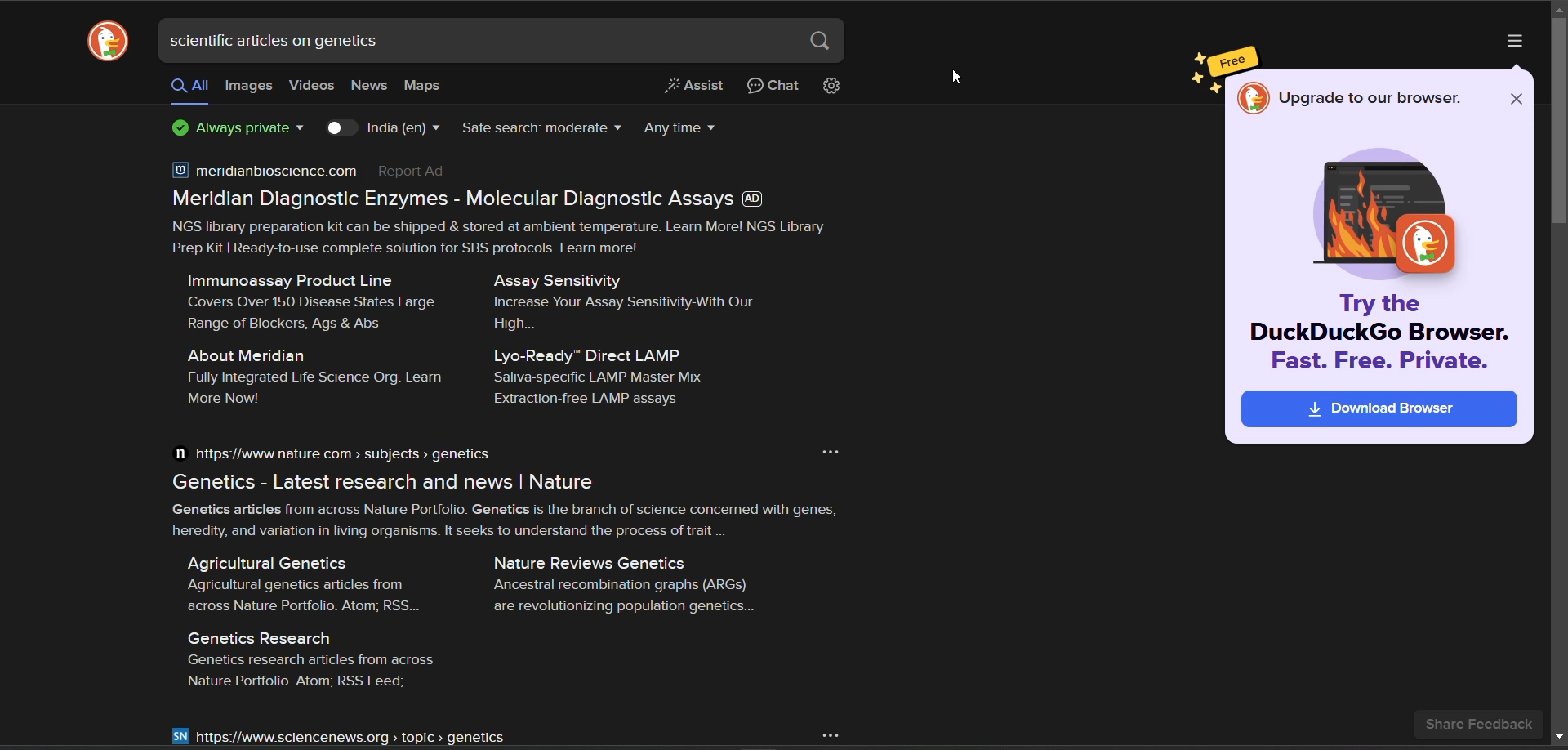  I want to click on cursor, so click(956, 75).